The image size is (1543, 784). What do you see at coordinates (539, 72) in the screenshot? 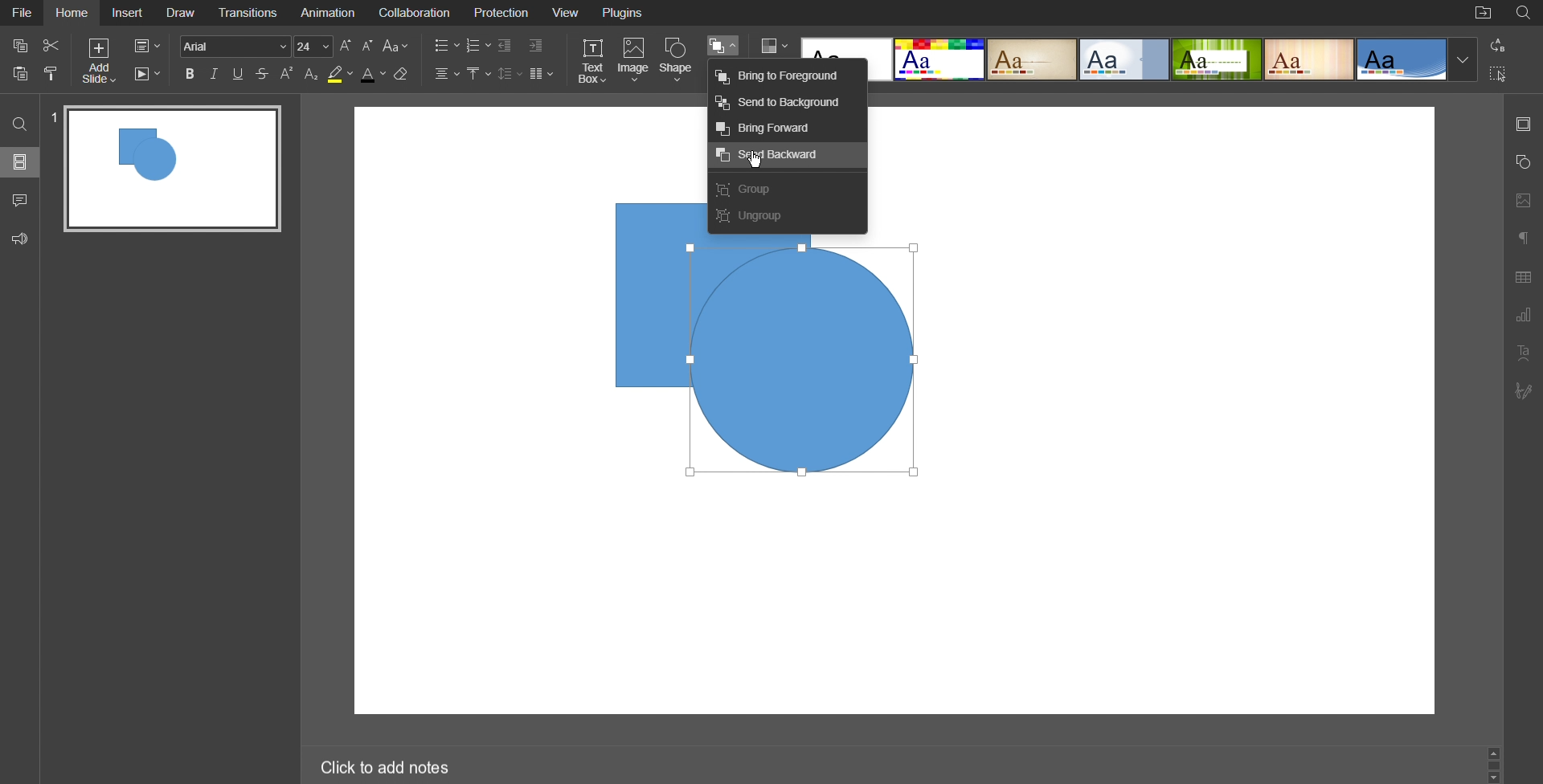
I see `Columns` at bounding box center [539, 72].